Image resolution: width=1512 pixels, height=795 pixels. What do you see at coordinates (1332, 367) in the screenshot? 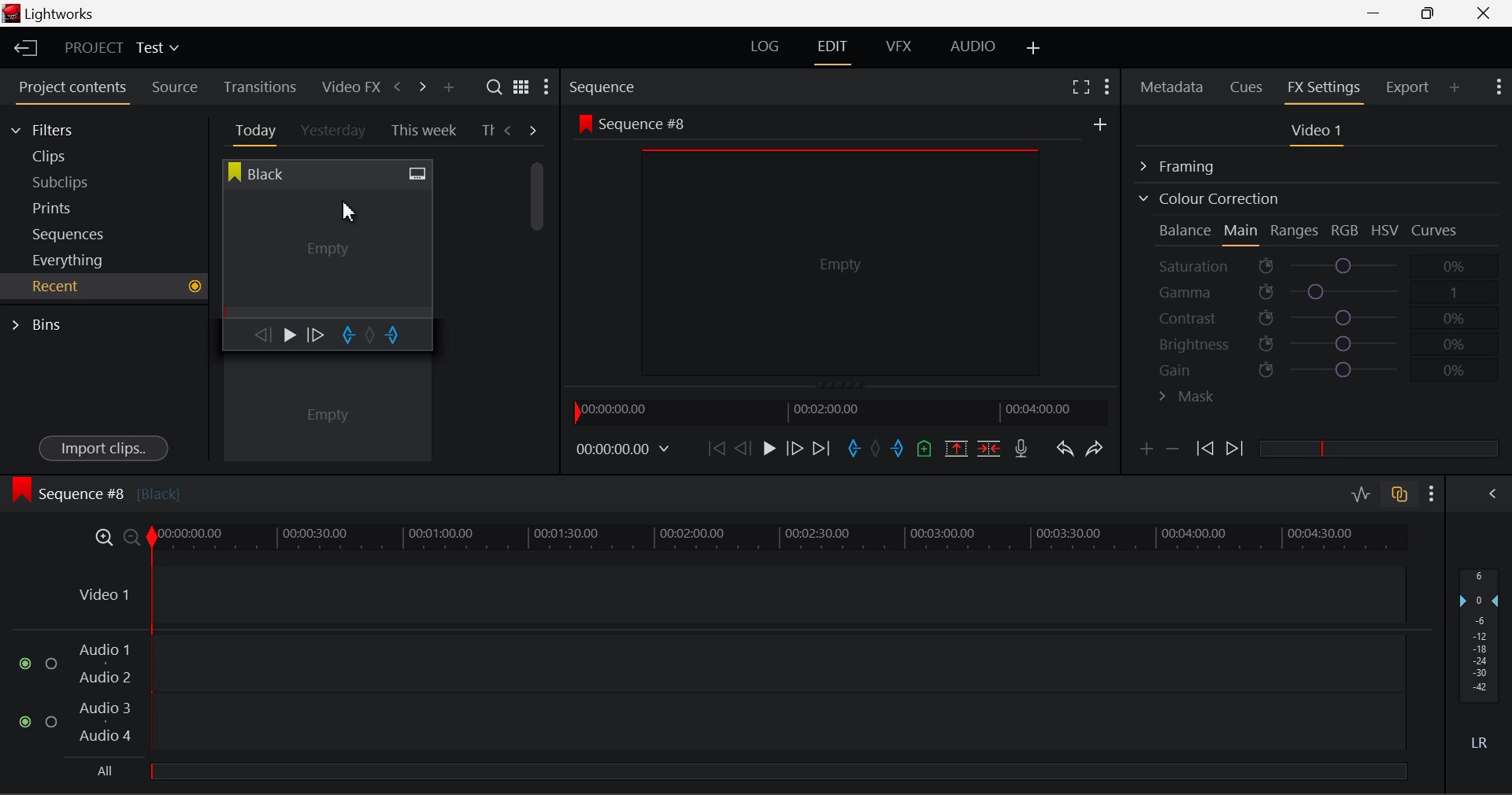
I see `Gain` at bounding box center [1332, 367].